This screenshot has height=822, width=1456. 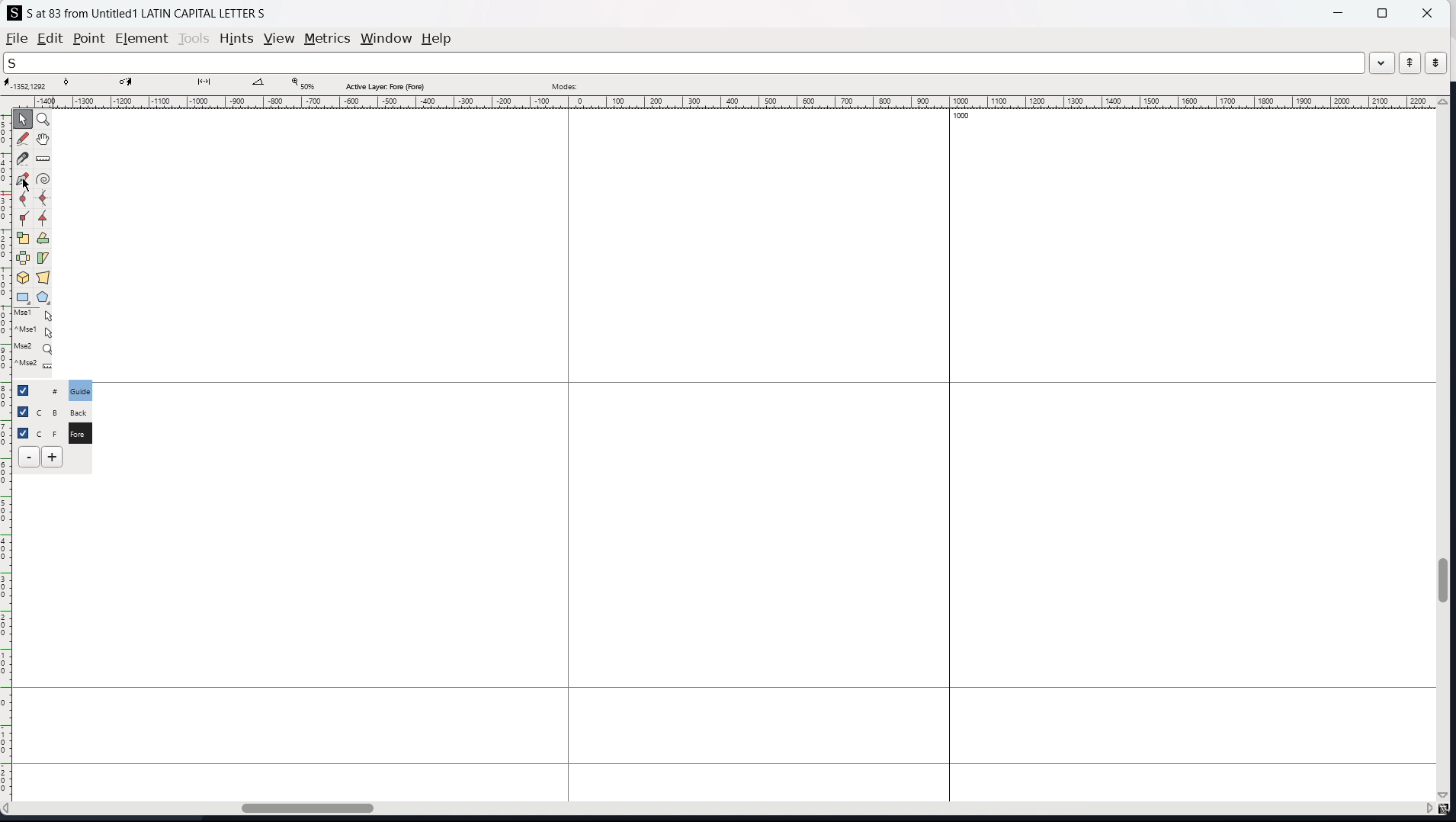 What do you see at coordinates (44, 120) in the screenshot?
I see `magnify` at bounding box center [44, 120].